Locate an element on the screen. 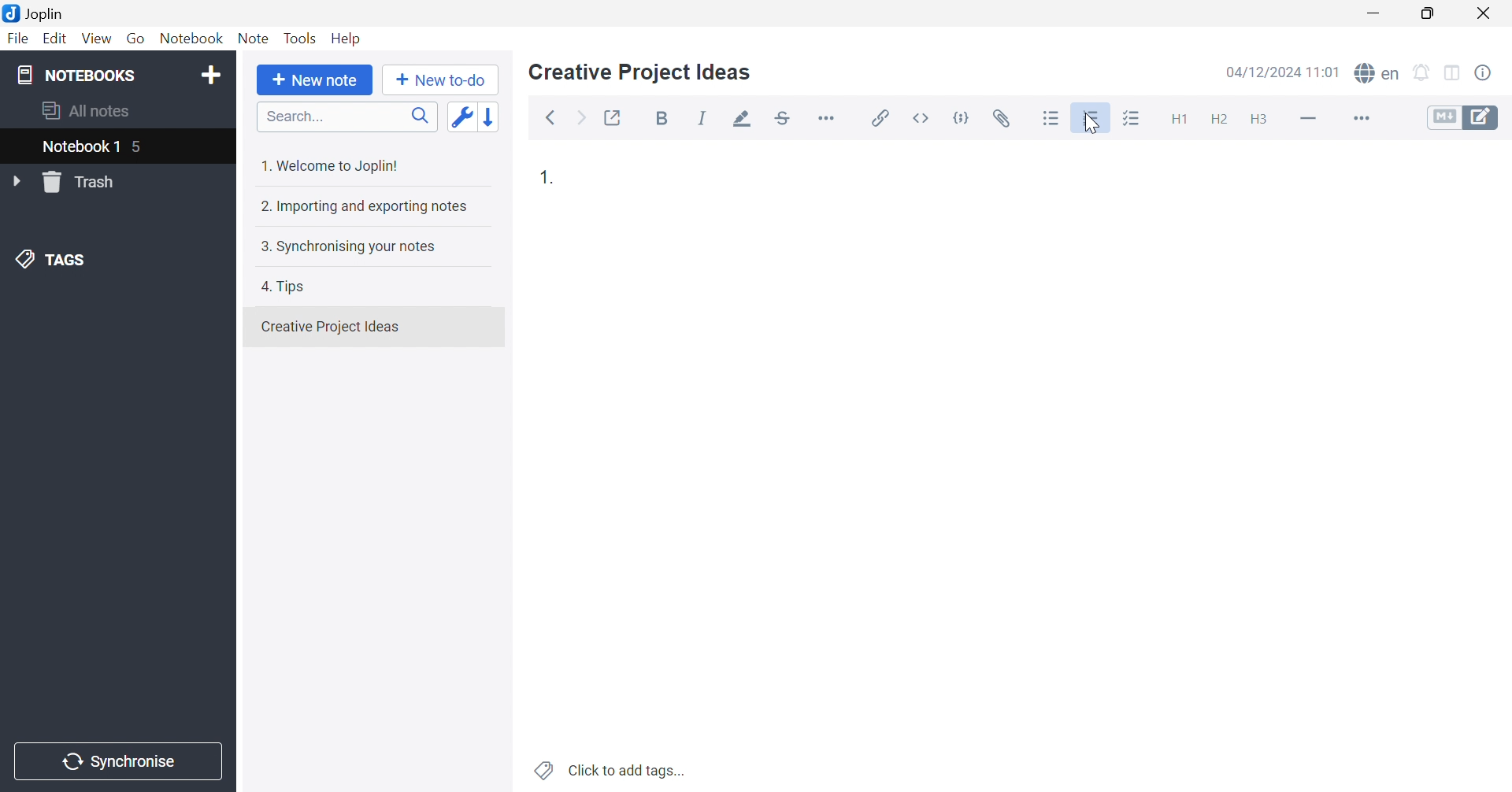  File is located at coordinates (17, 41).